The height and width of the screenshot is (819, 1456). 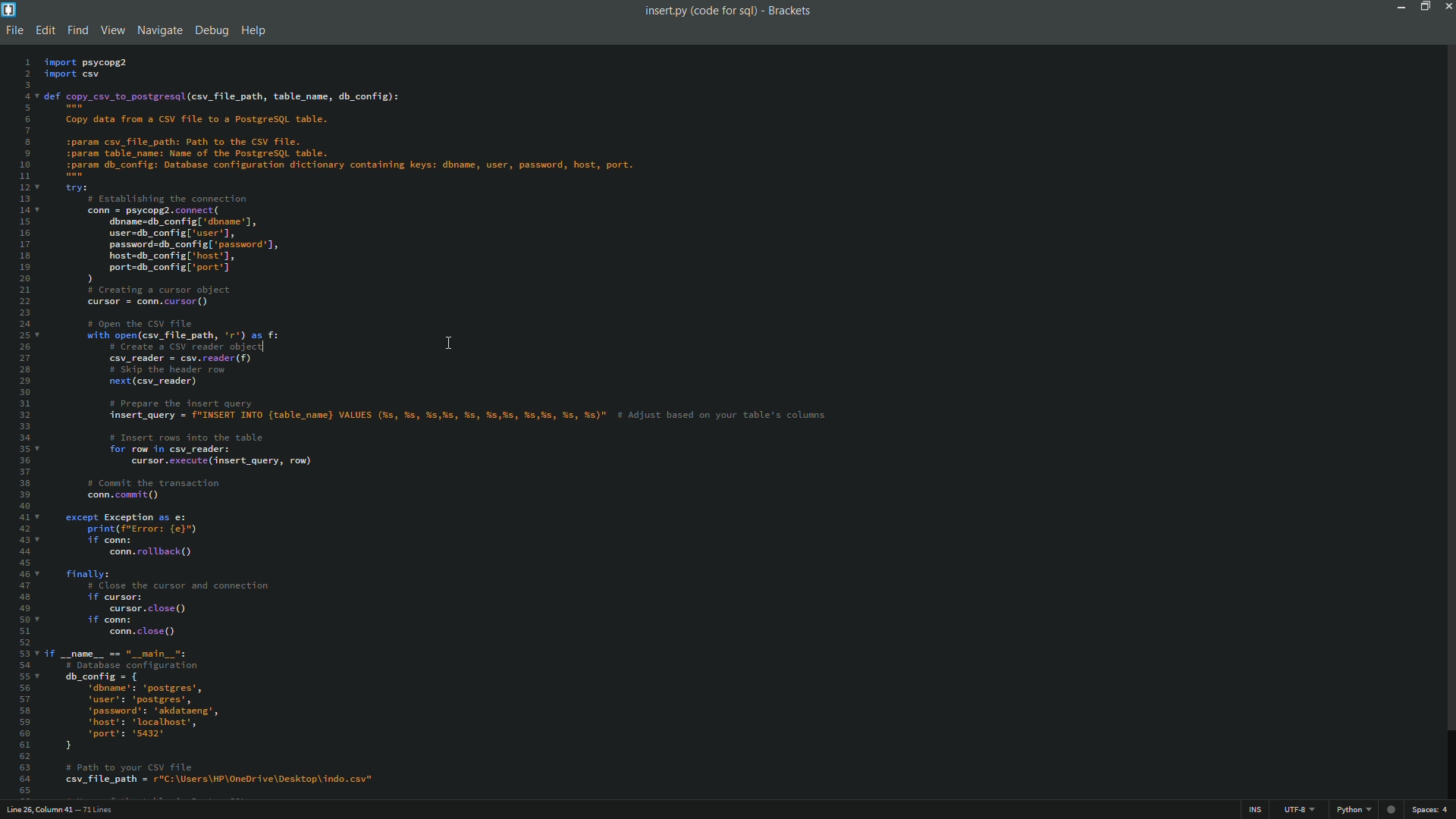 I want to click on scroll bar, so click(x=1449, y=391).